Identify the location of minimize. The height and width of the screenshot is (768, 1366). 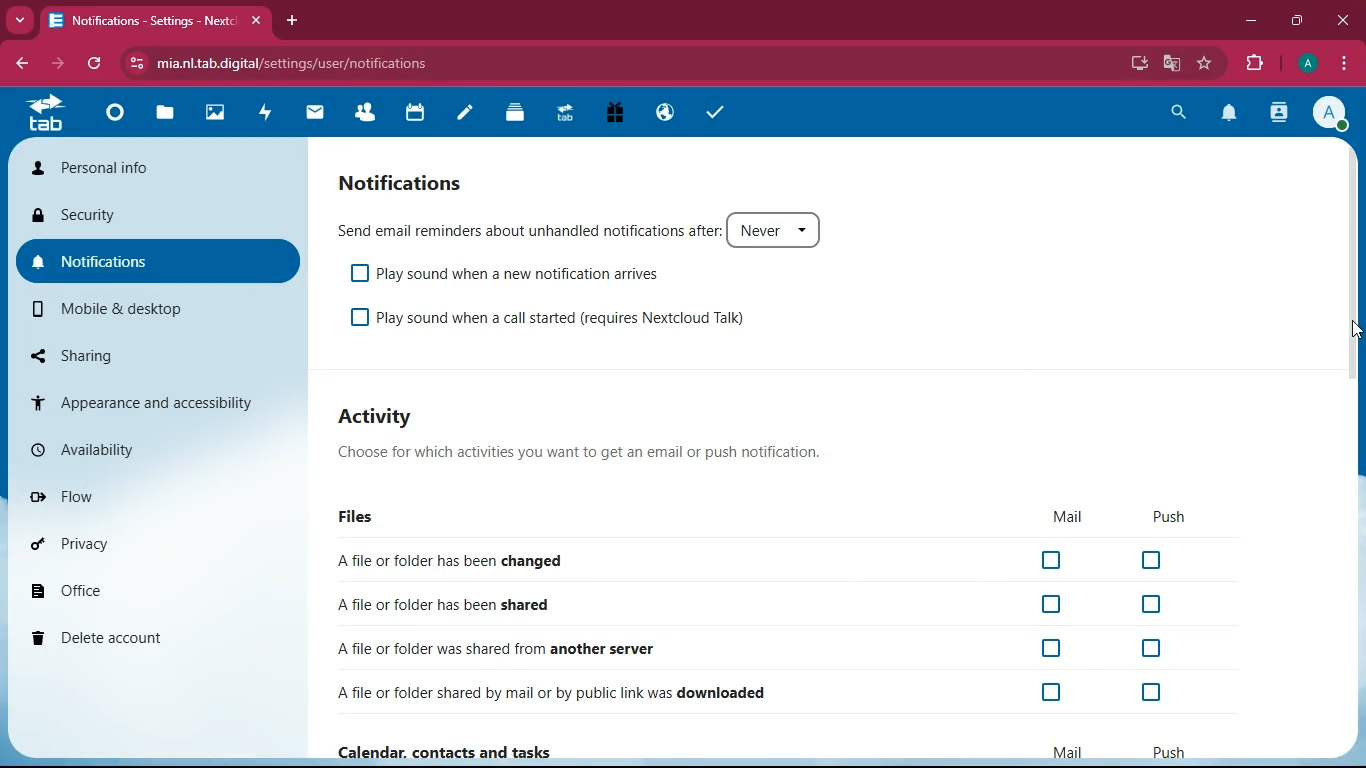
(1250, 19).